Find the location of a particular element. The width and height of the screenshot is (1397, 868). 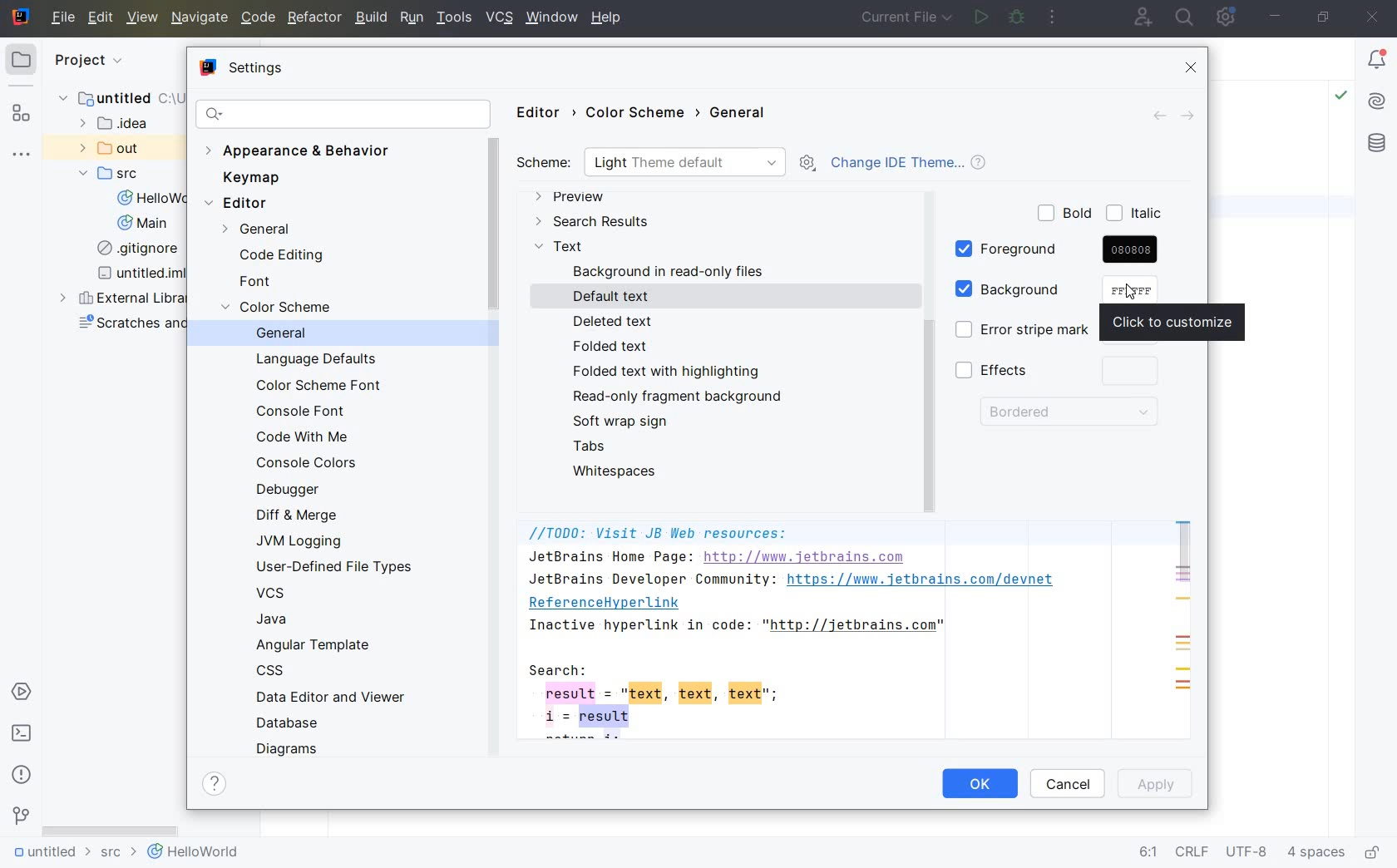

KEYMAP is located at coordinates (255, 178).